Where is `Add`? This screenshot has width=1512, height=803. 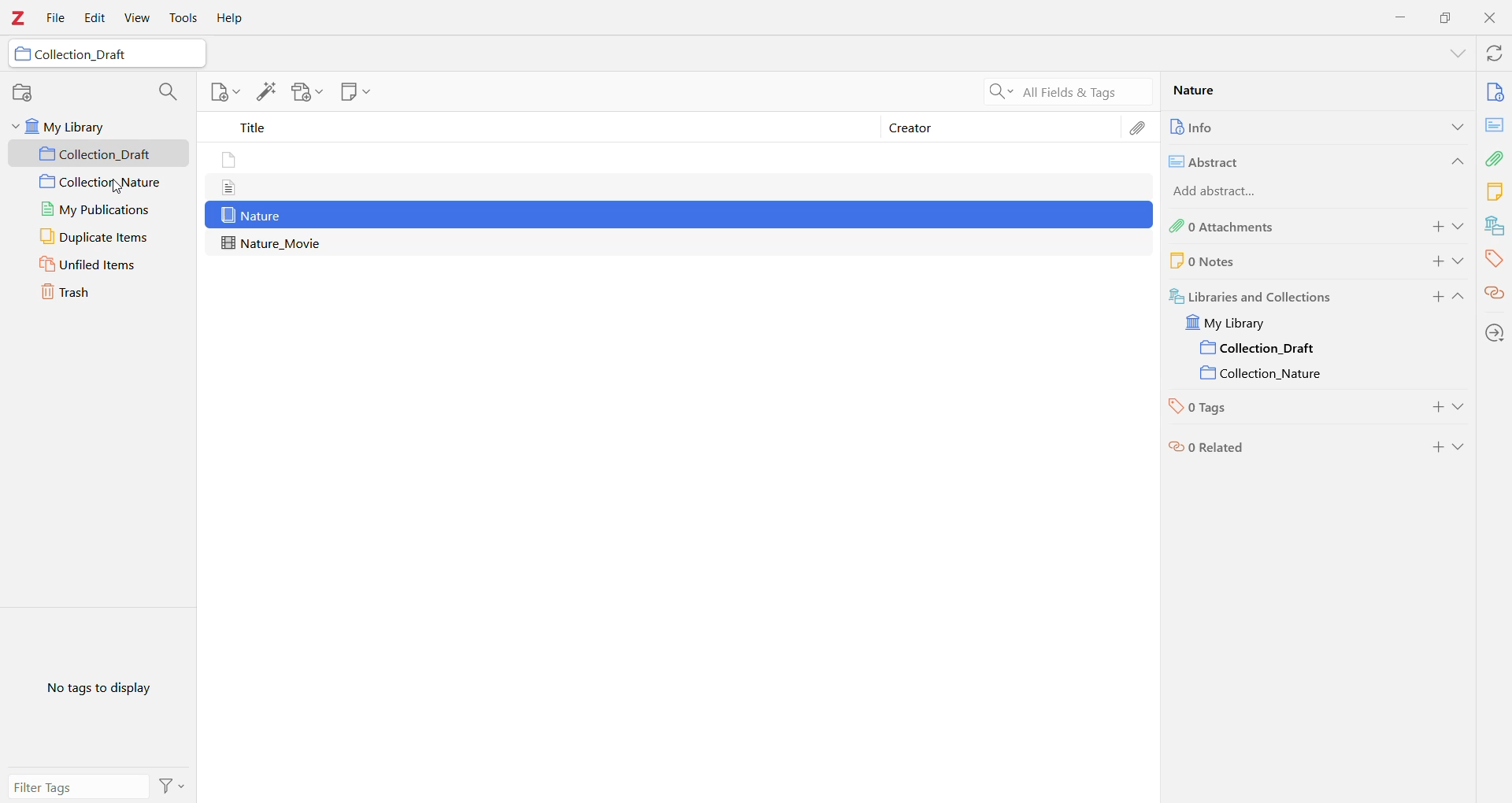
Add is located at coordinates (1433, 299).